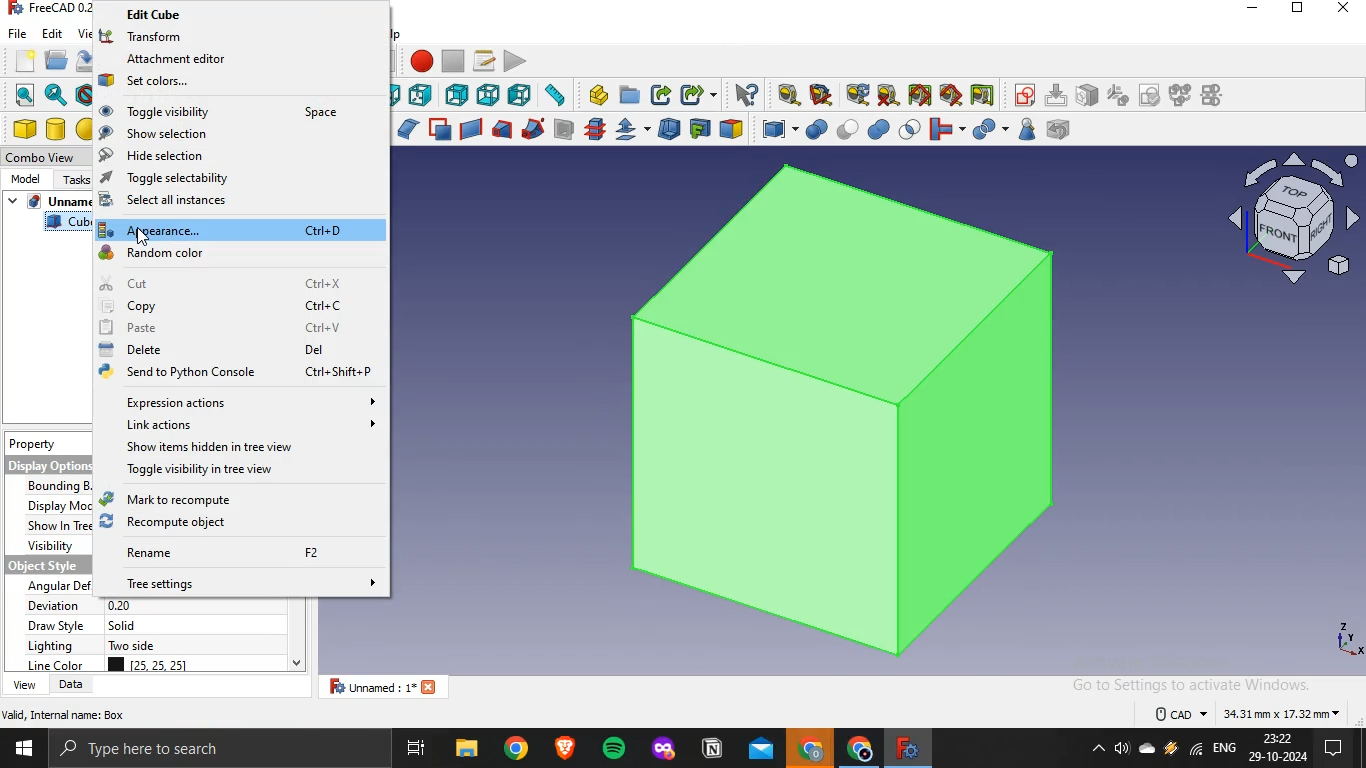  Describe the element at coordinates (888, 95) in the screenshot. I see `clear all` at that location.